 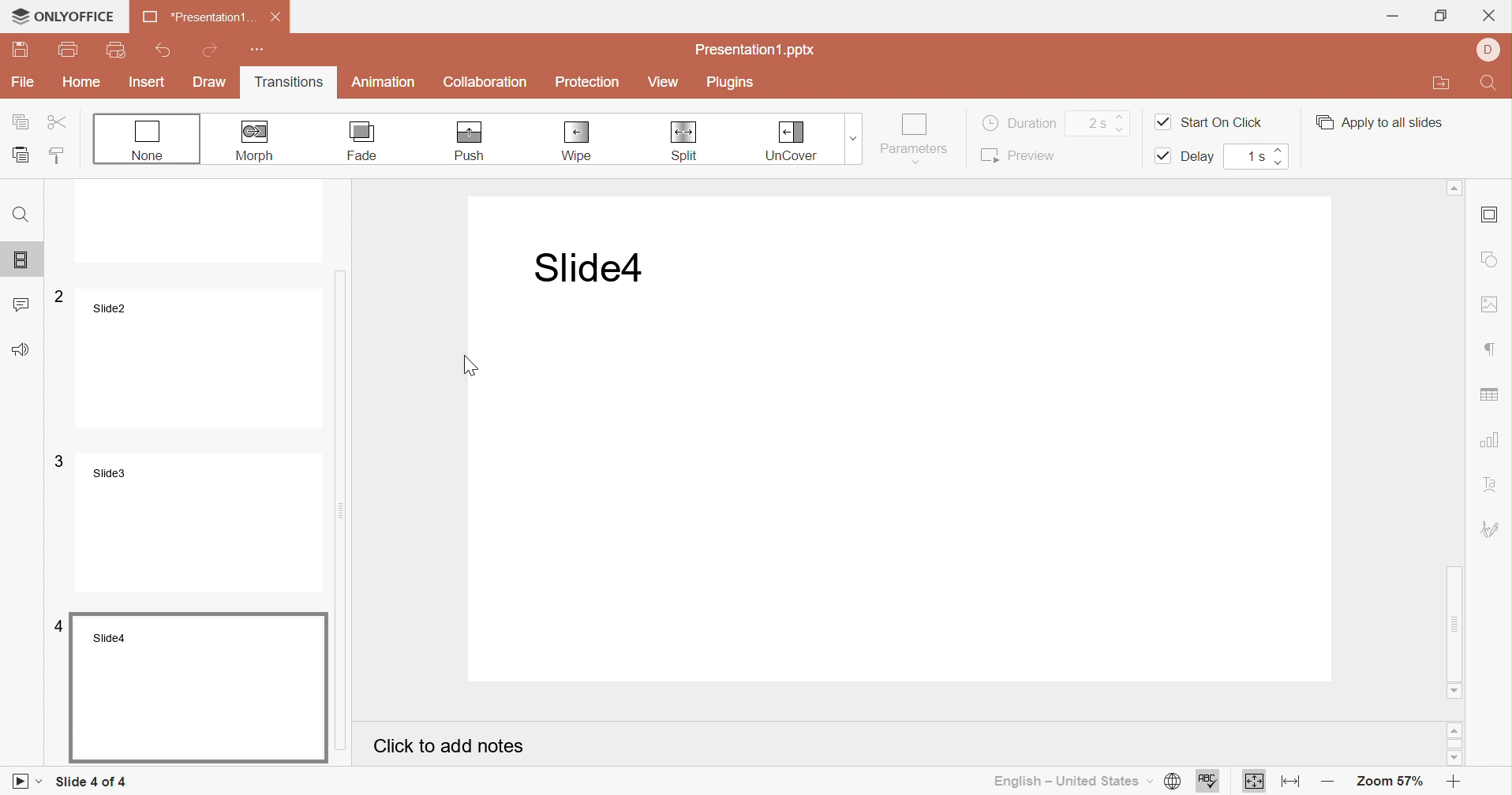 What do you see at coordinates (588, 83) in the screenshot?
I see `Protection` at bounding box center [588, 83].